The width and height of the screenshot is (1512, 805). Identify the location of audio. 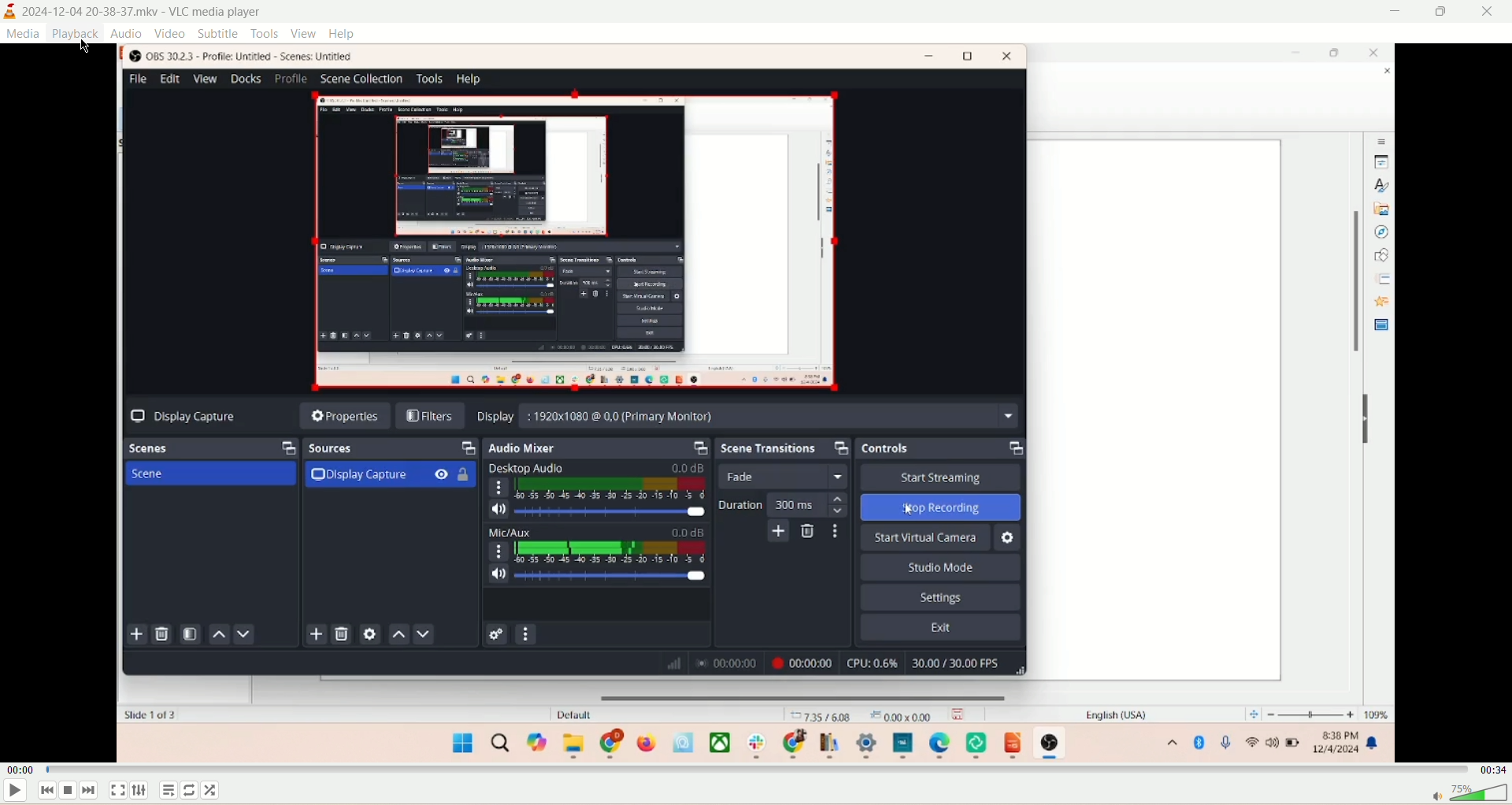
(126, 32).